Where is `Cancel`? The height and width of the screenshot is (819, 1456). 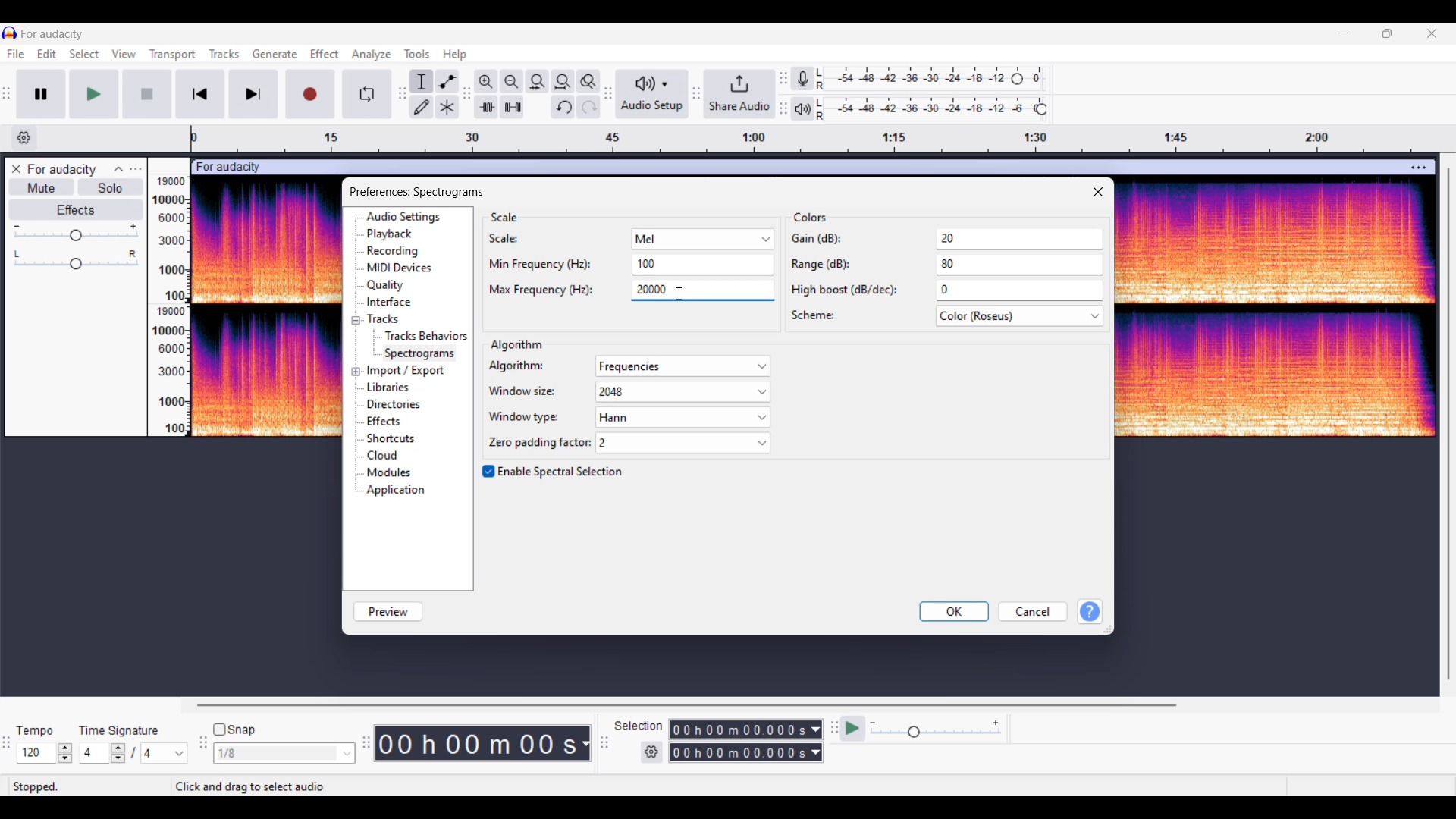 Cancel is located at coordinates (1034, 611).